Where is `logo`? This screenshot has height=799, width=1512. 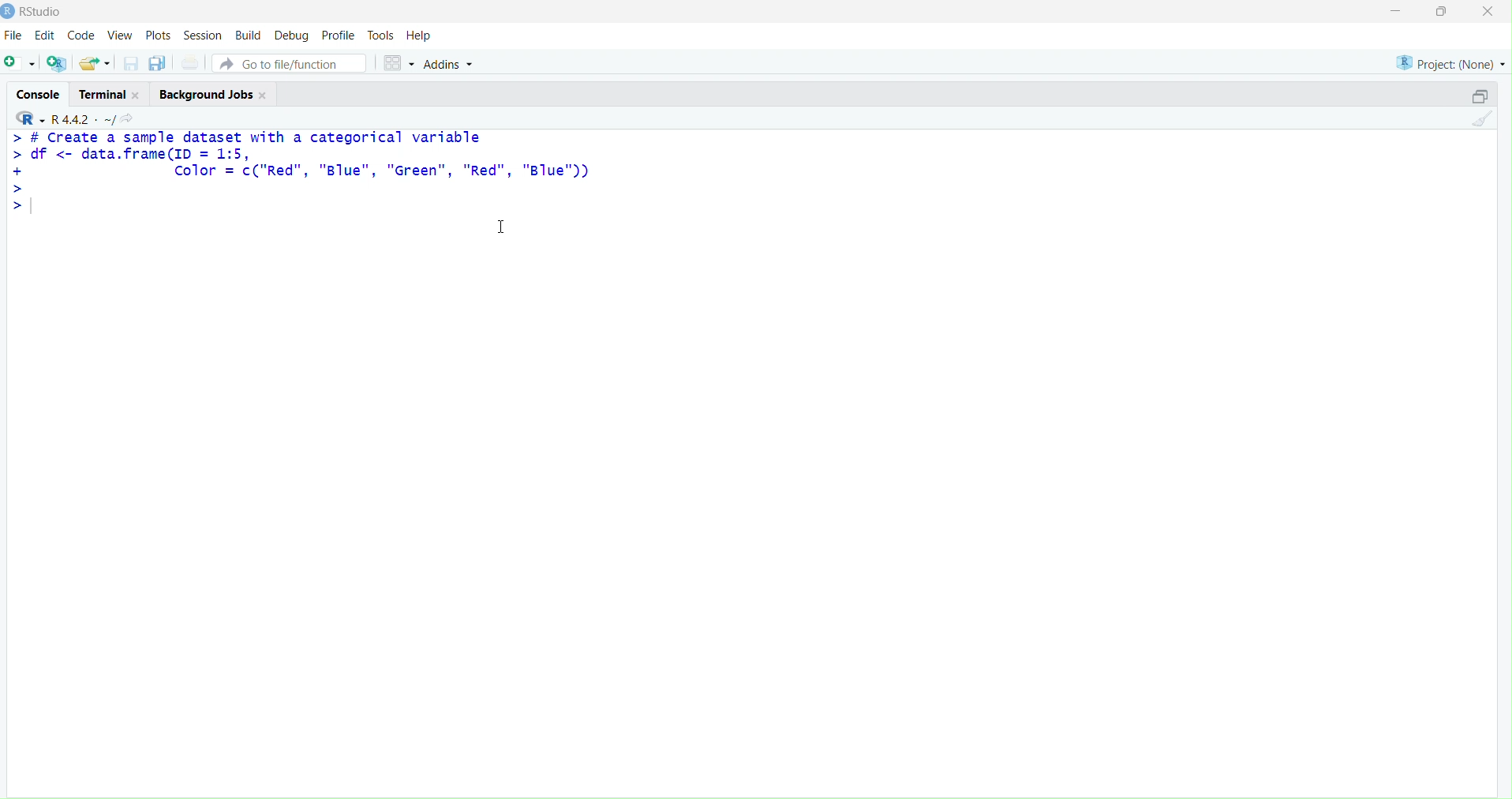 logo is located at coordinates (9, 13).